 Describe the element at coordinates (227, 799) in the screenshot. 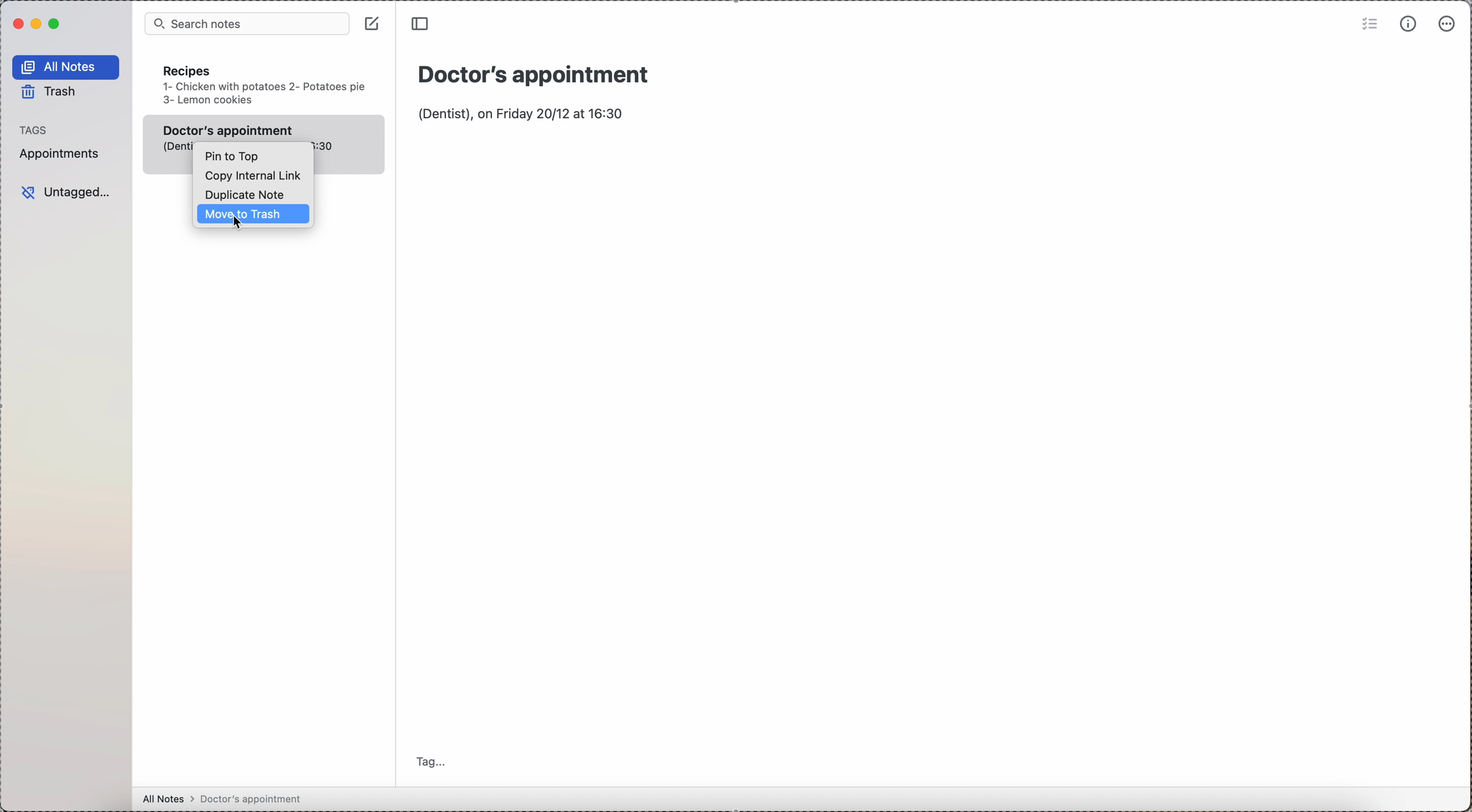

I see `all notes > doctor's appointment` at that location.